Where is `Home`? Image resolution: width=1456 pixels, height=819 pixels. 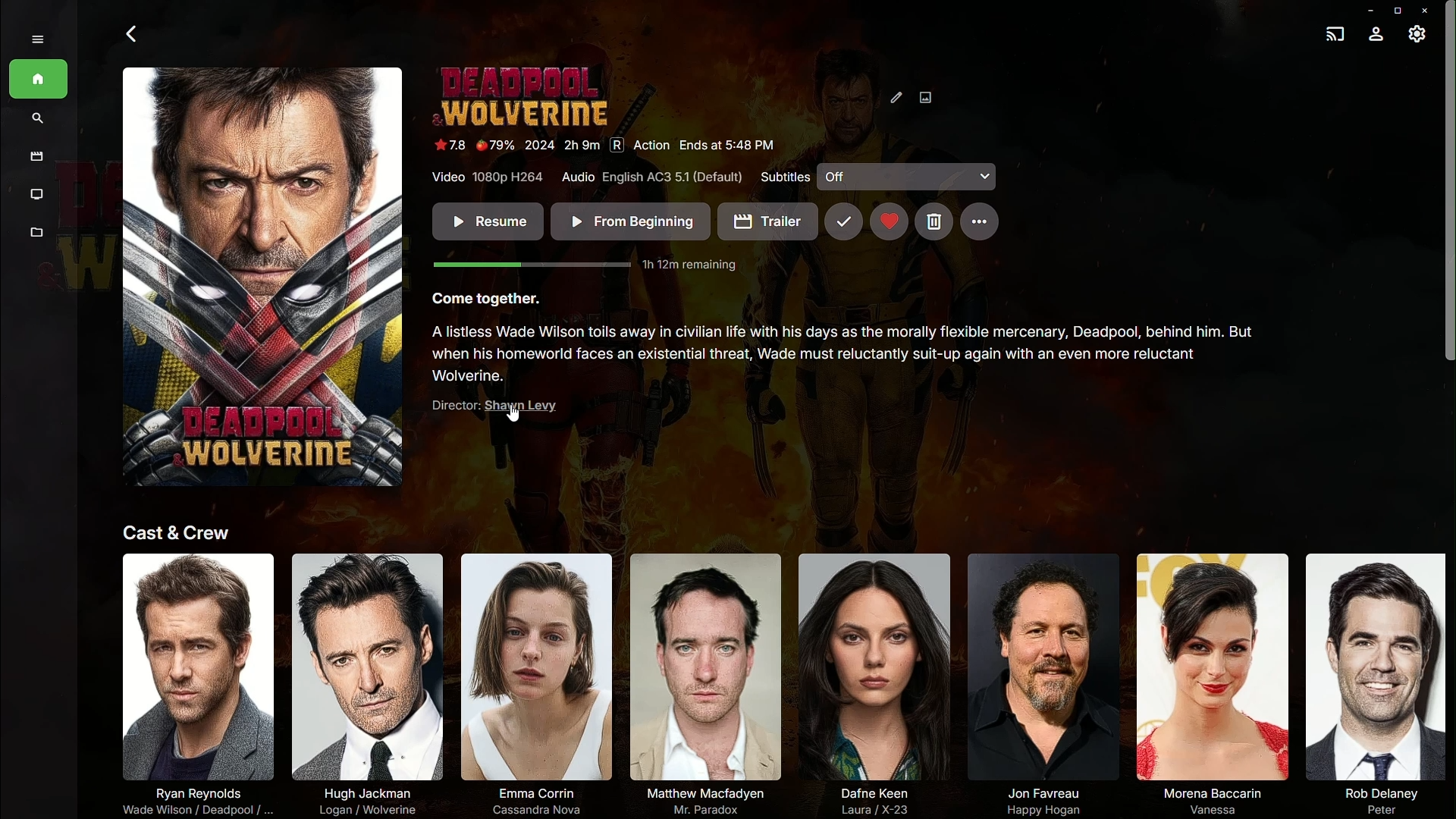
Home is located at coordinates (39, 81).